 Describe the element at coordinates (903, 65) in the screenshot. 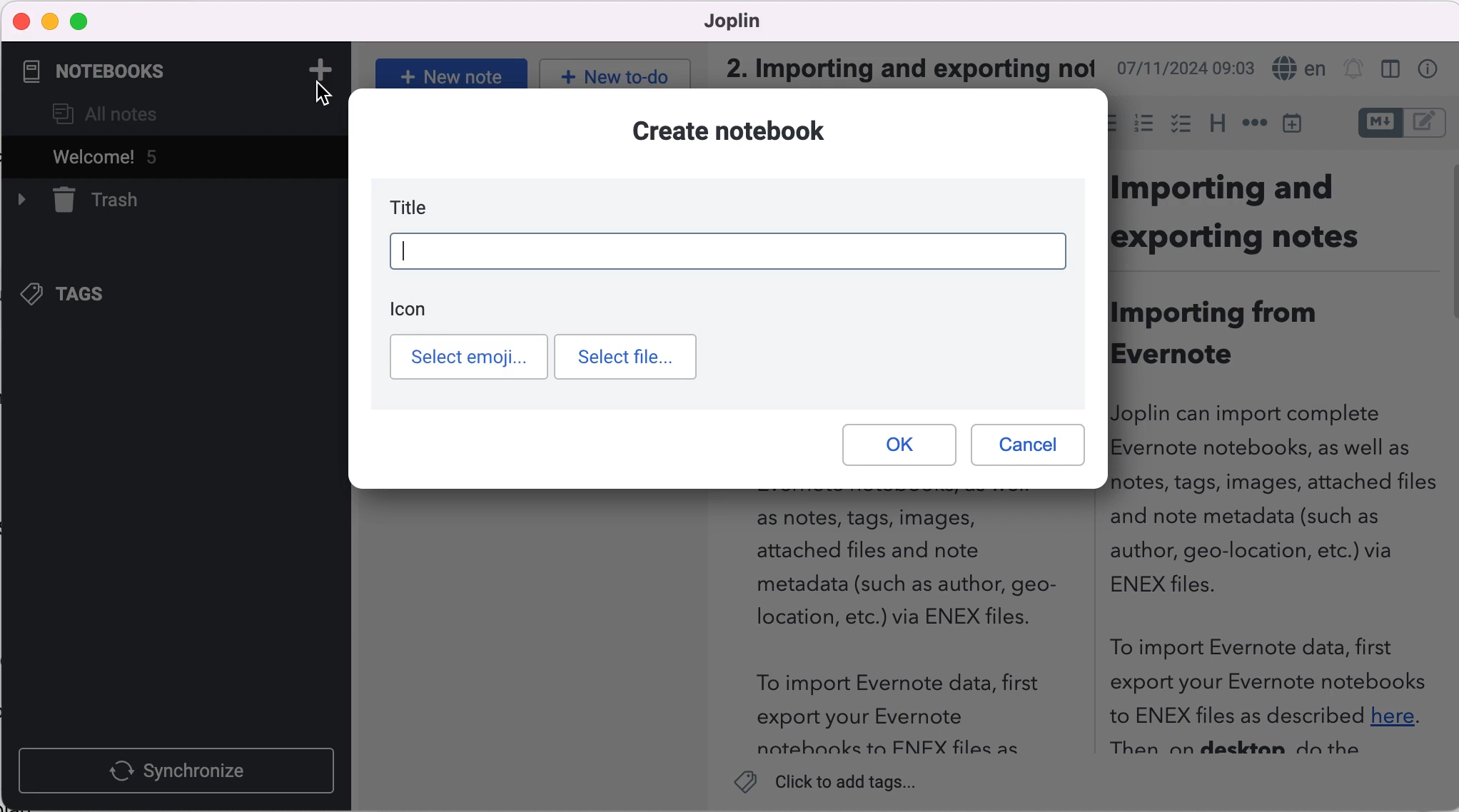

I see `2. Importing and exporting not` at that location.